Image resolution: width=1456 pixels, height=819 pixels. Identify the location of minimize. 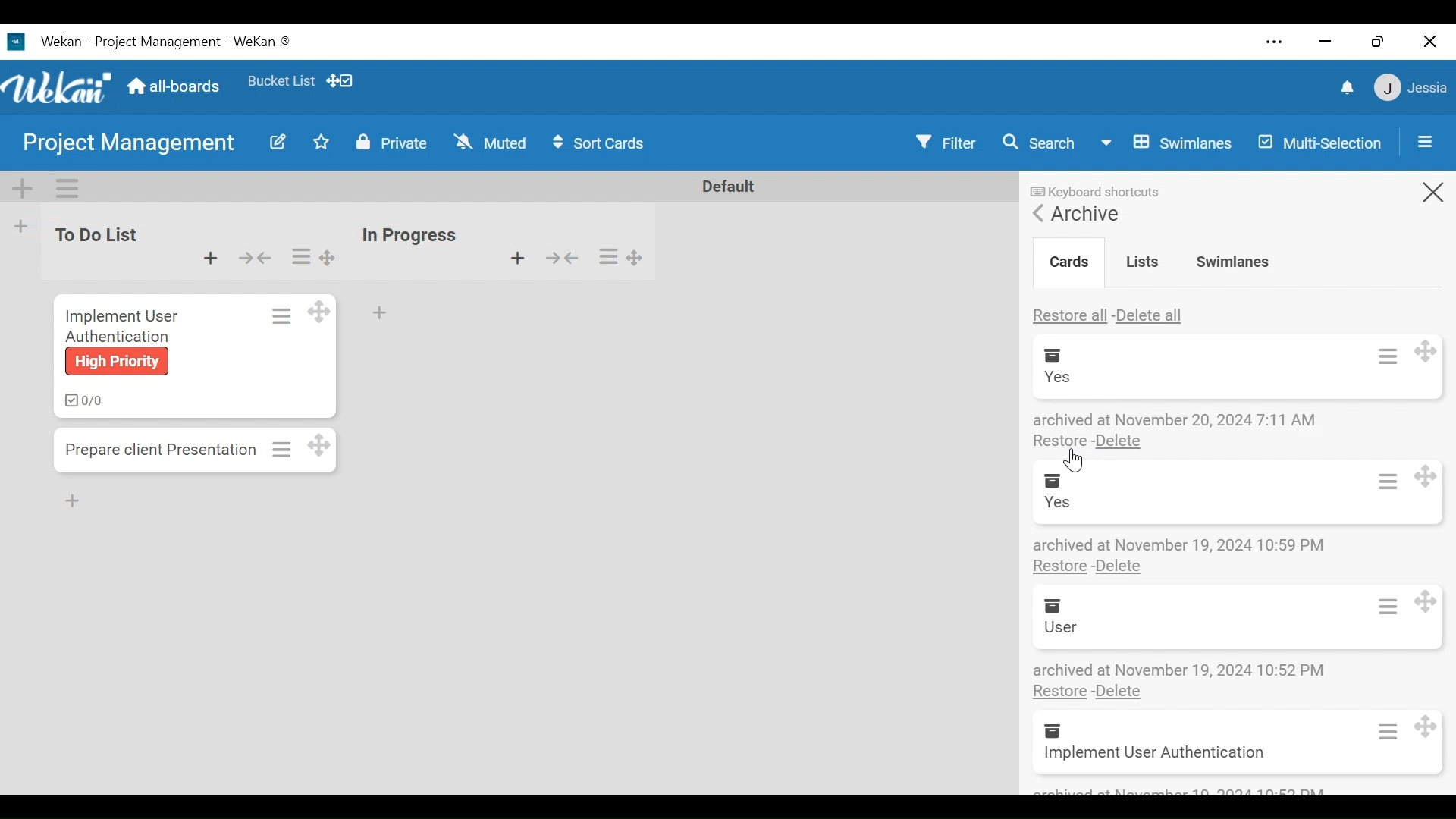
(1325, 41).